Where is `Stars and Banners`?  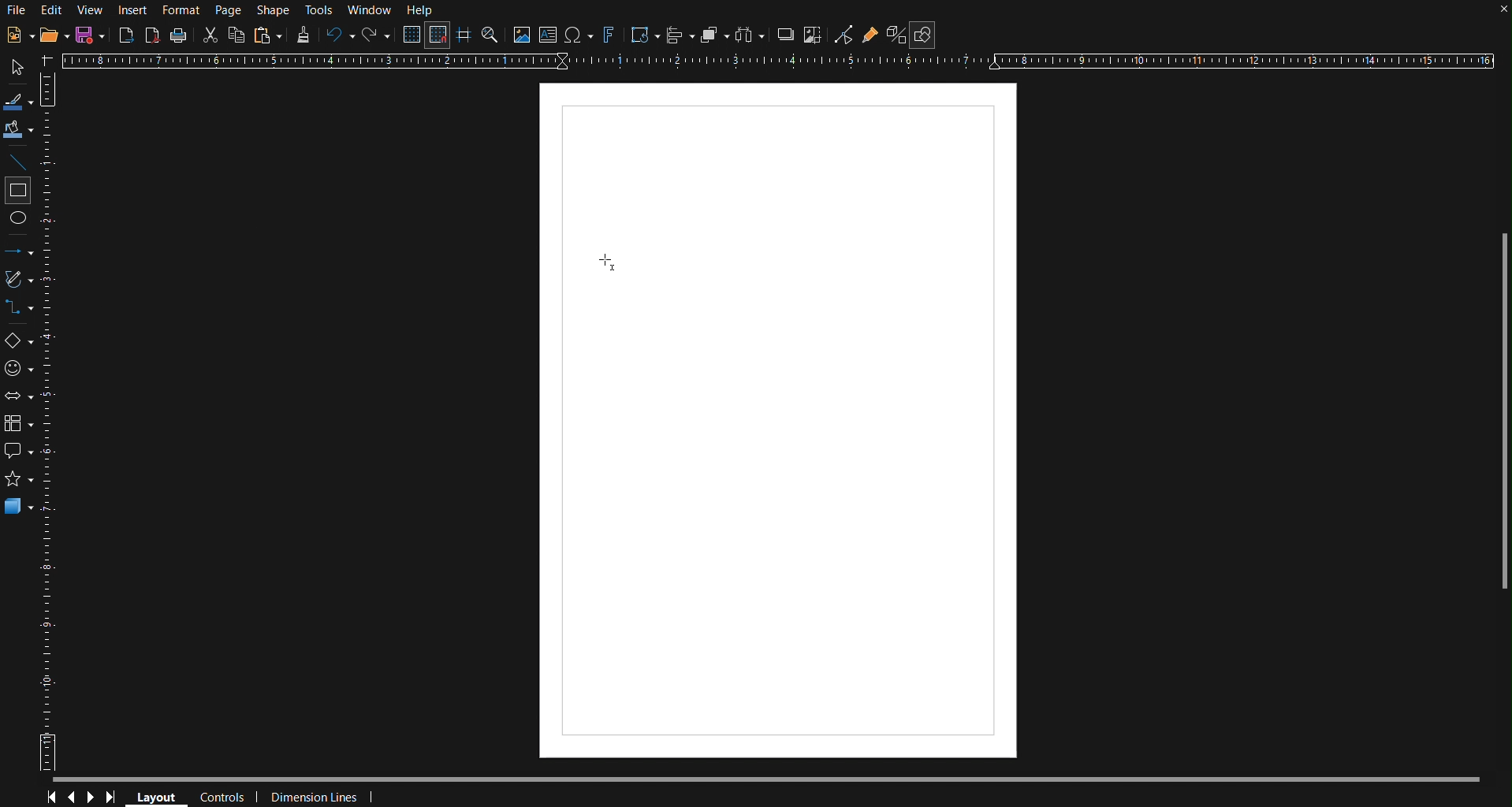 Stars and Banners is located at coordinates (19, 478).